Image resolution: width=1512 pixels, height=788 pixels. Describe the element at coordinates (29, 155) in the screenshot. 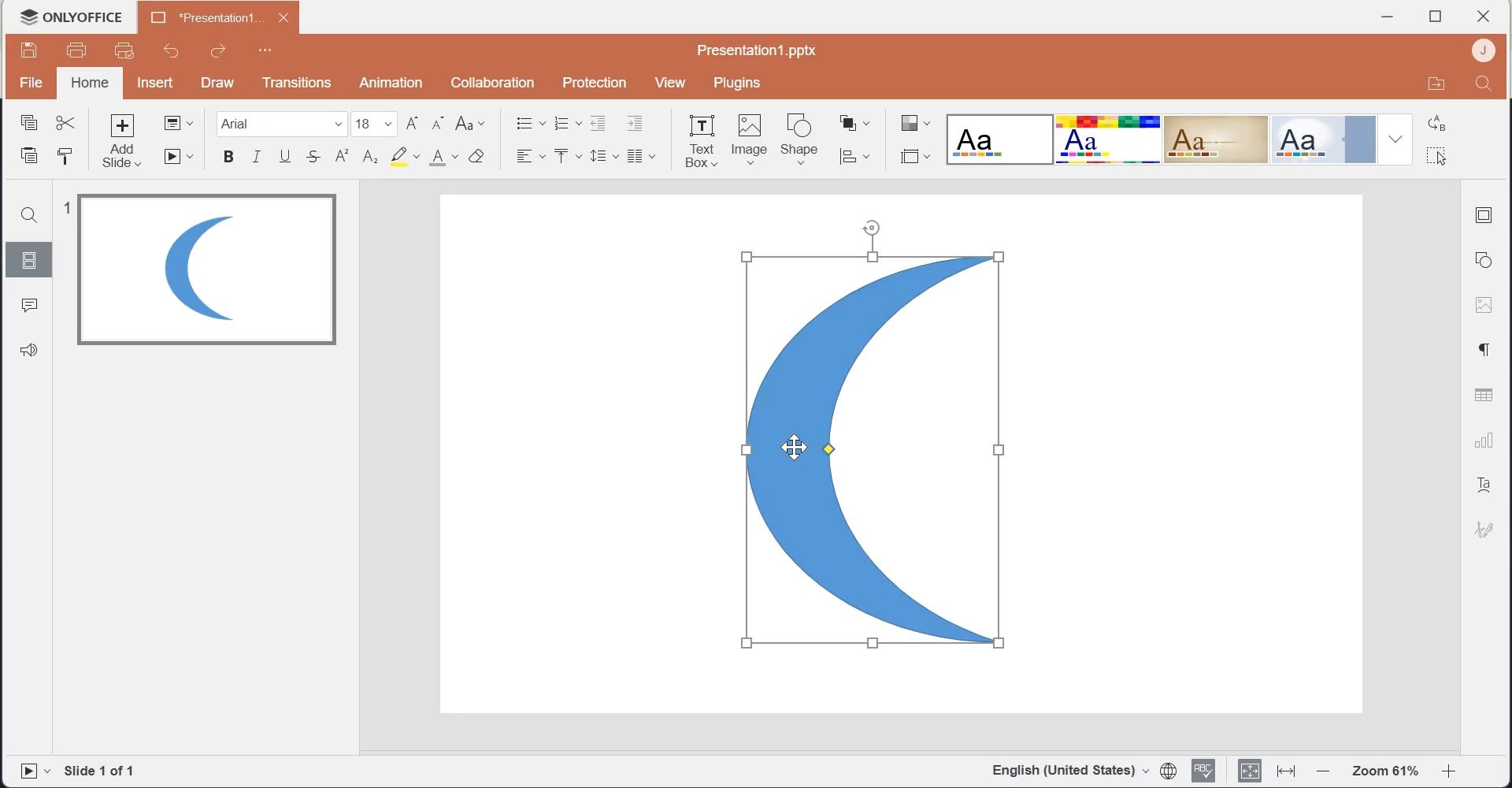

I see `Paste` at that location.